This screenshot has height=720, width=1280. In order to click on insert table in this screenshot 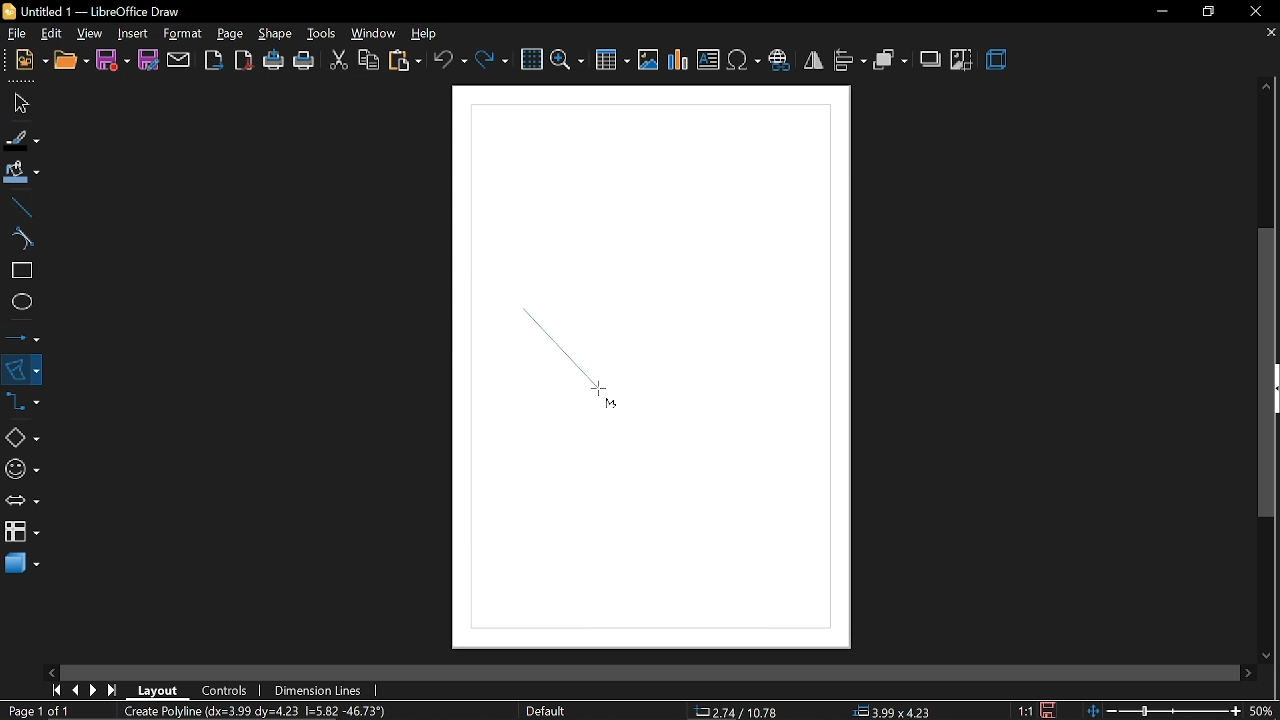, I will do `click(612, 59)`.